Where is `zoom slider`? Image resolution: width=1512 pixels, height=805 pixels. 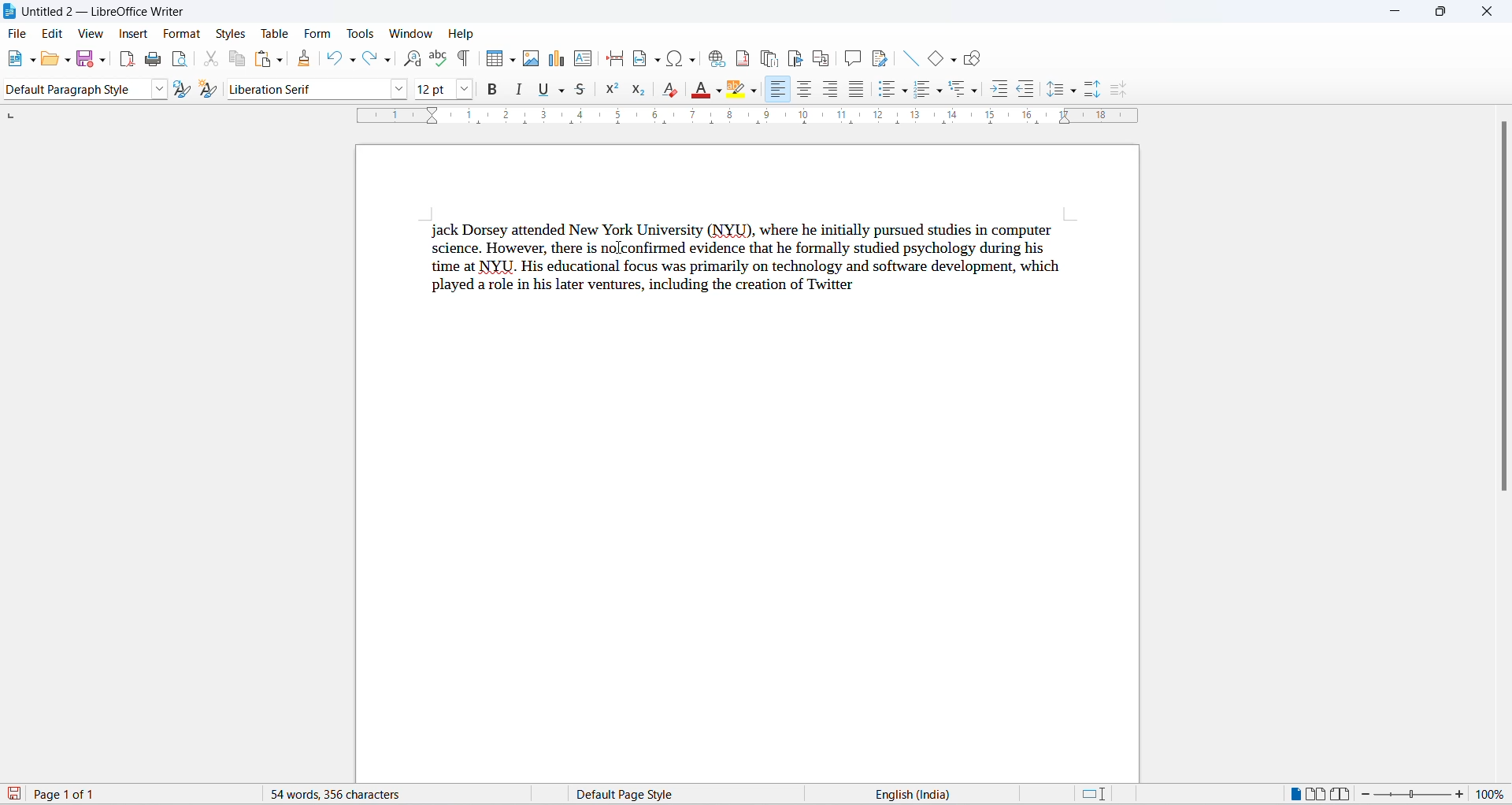
zoom slider is located at coordinates (1414, 795).